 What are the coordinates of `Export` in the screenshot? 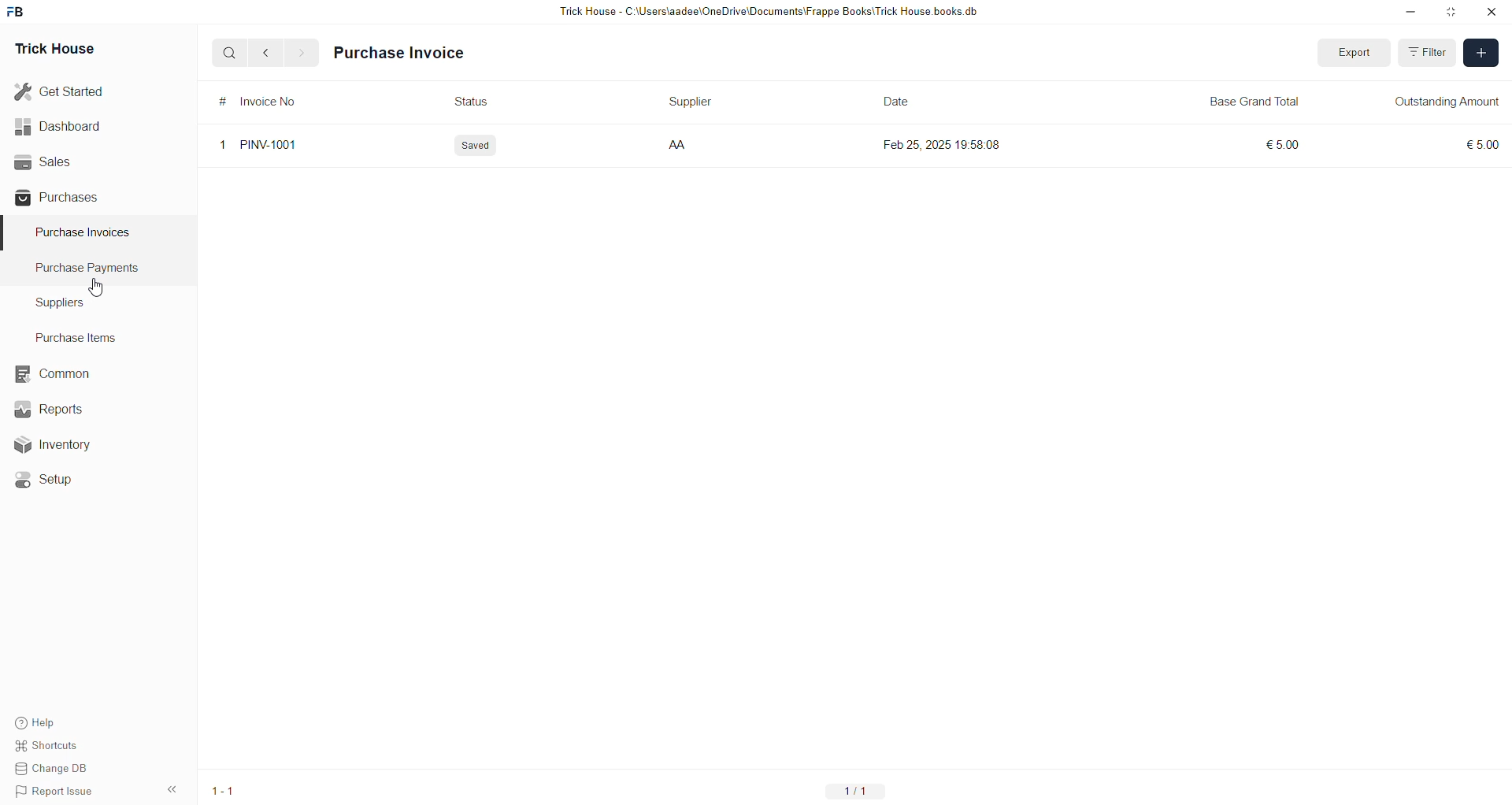 It's located at (1359, 53).